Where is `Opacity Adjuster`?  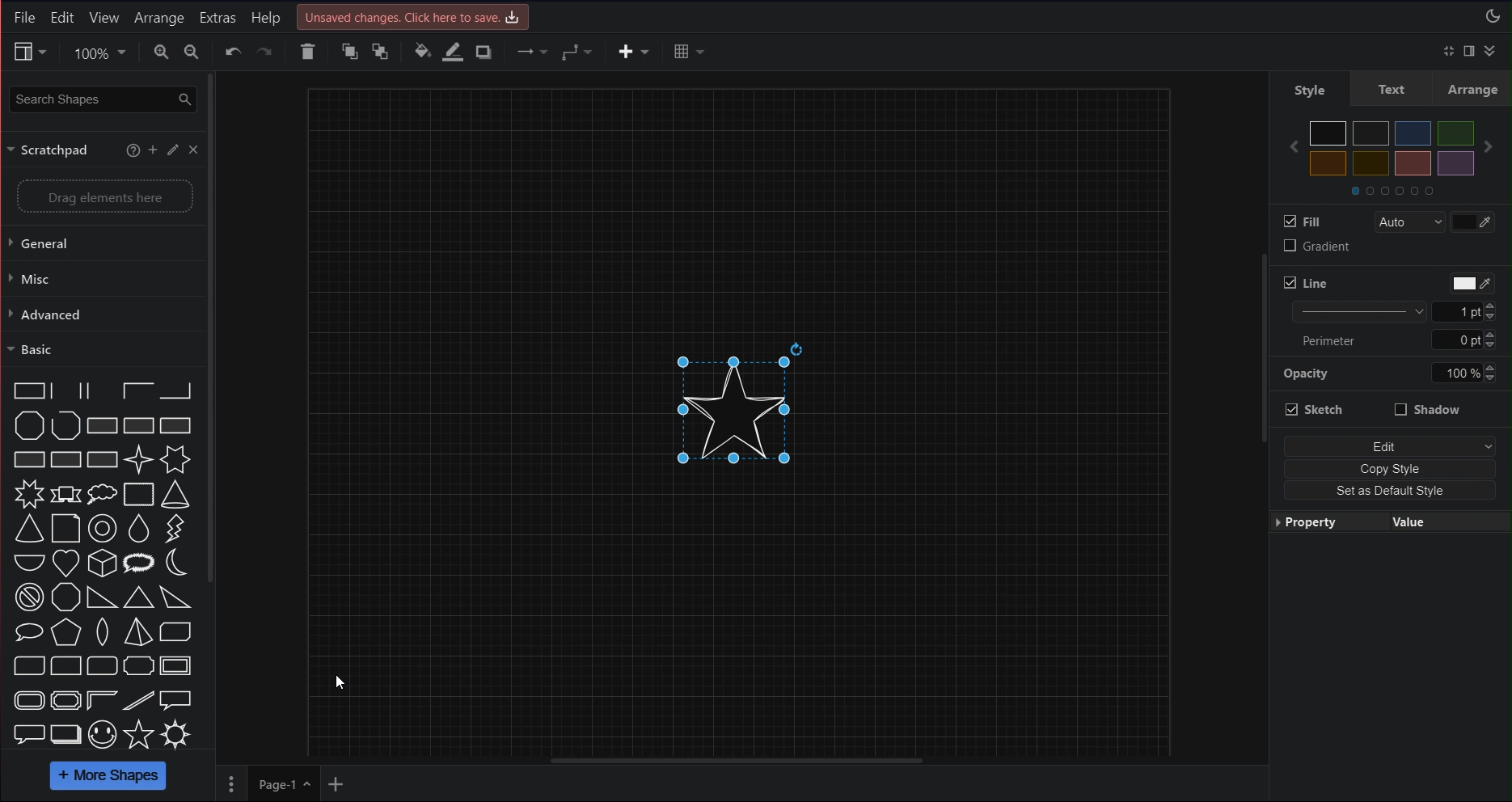 Opacity Adjuster is located at coordinates (1389, 373).